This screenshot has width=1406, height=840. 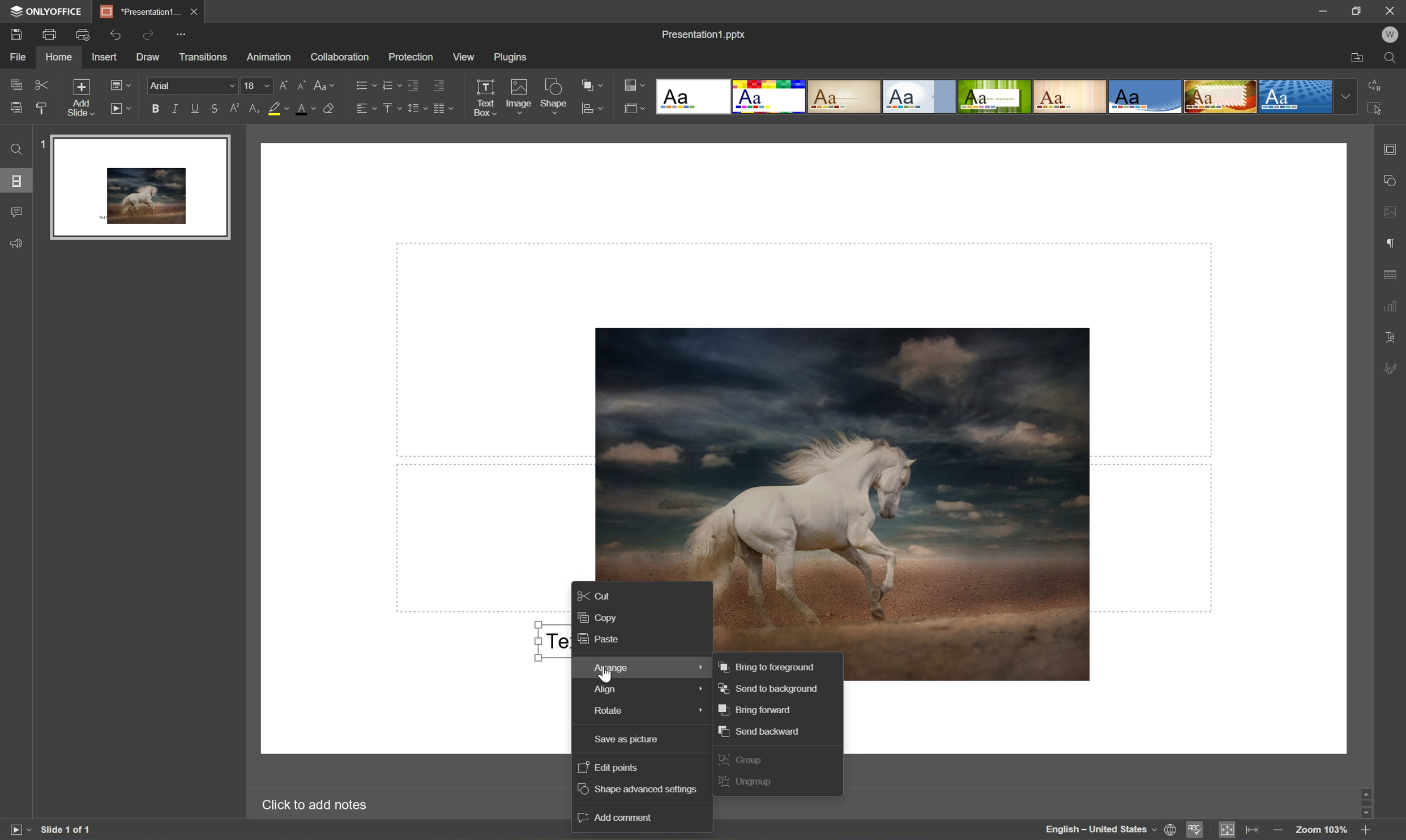 What do you see at coordinates (271, 58) in the screenshot?
I see `Animation` at bounding box center [271, 58].